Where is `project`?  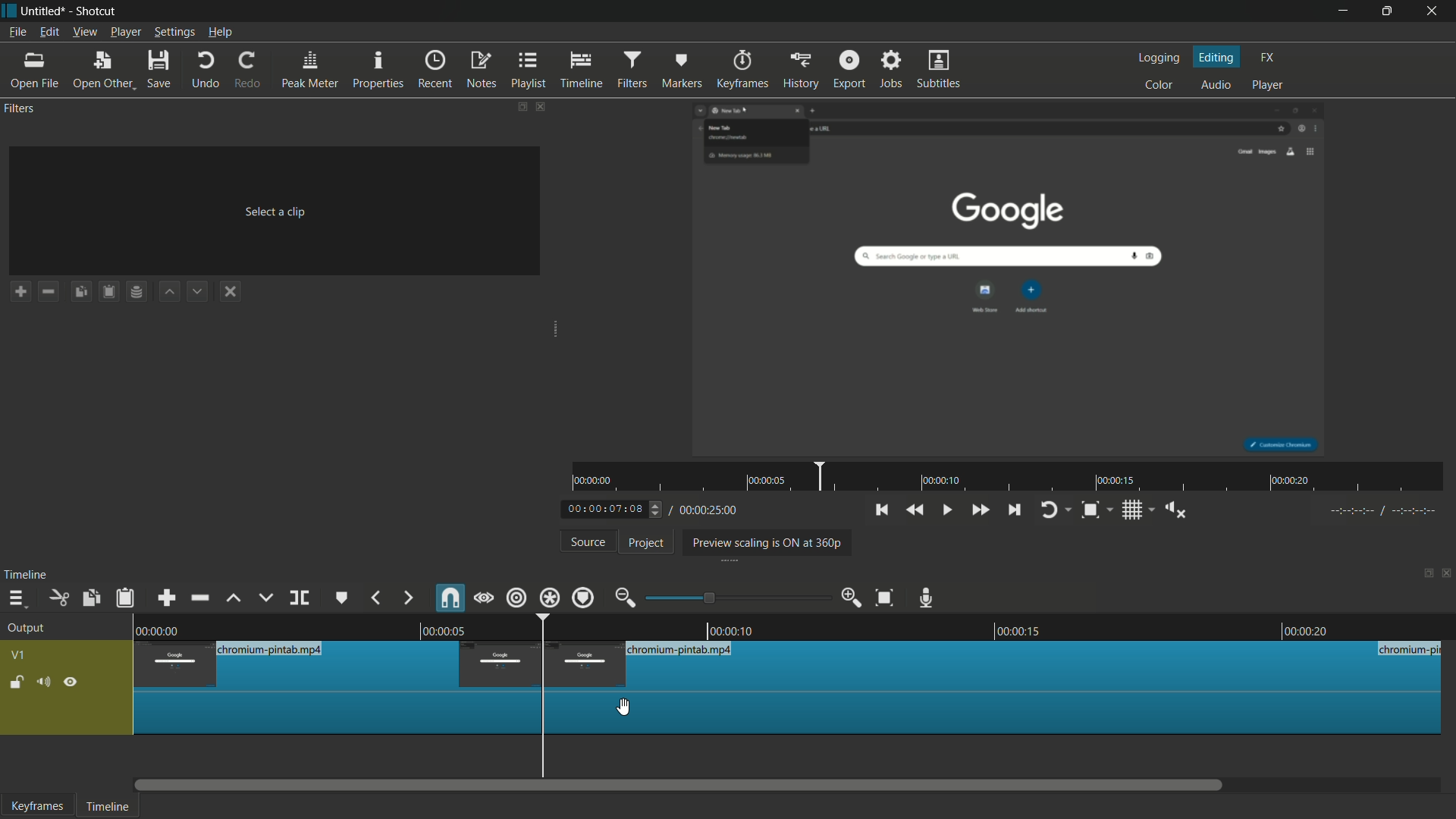
project is located at coordinates (647, 543).